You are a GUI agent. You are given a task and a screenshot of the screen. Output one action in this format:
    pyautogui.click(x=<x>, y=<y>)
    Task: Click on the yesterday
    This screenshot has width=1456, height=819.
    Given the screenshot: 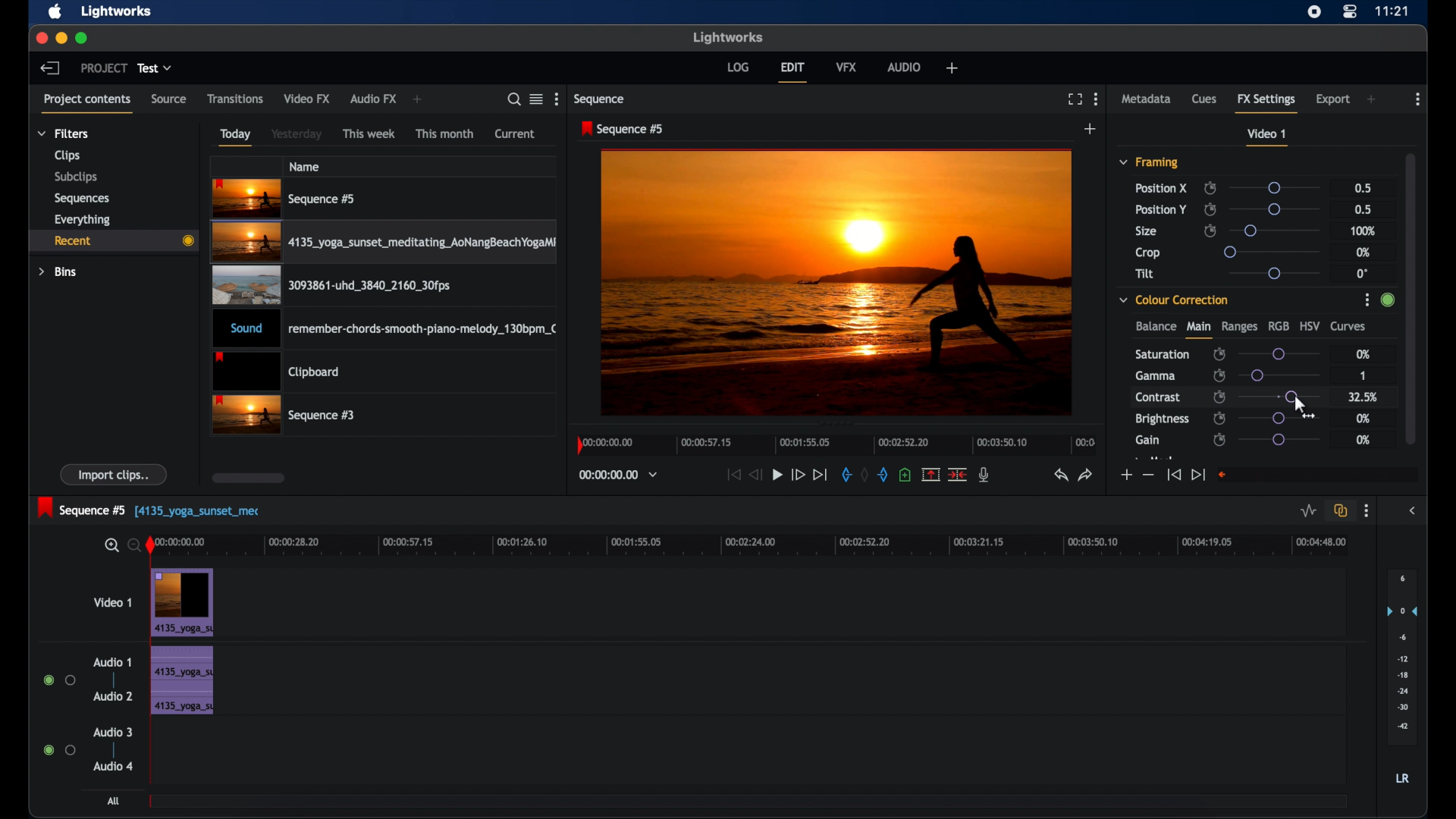 What is the action you would take?
    pyautogui.click(x=297, y=134)
    